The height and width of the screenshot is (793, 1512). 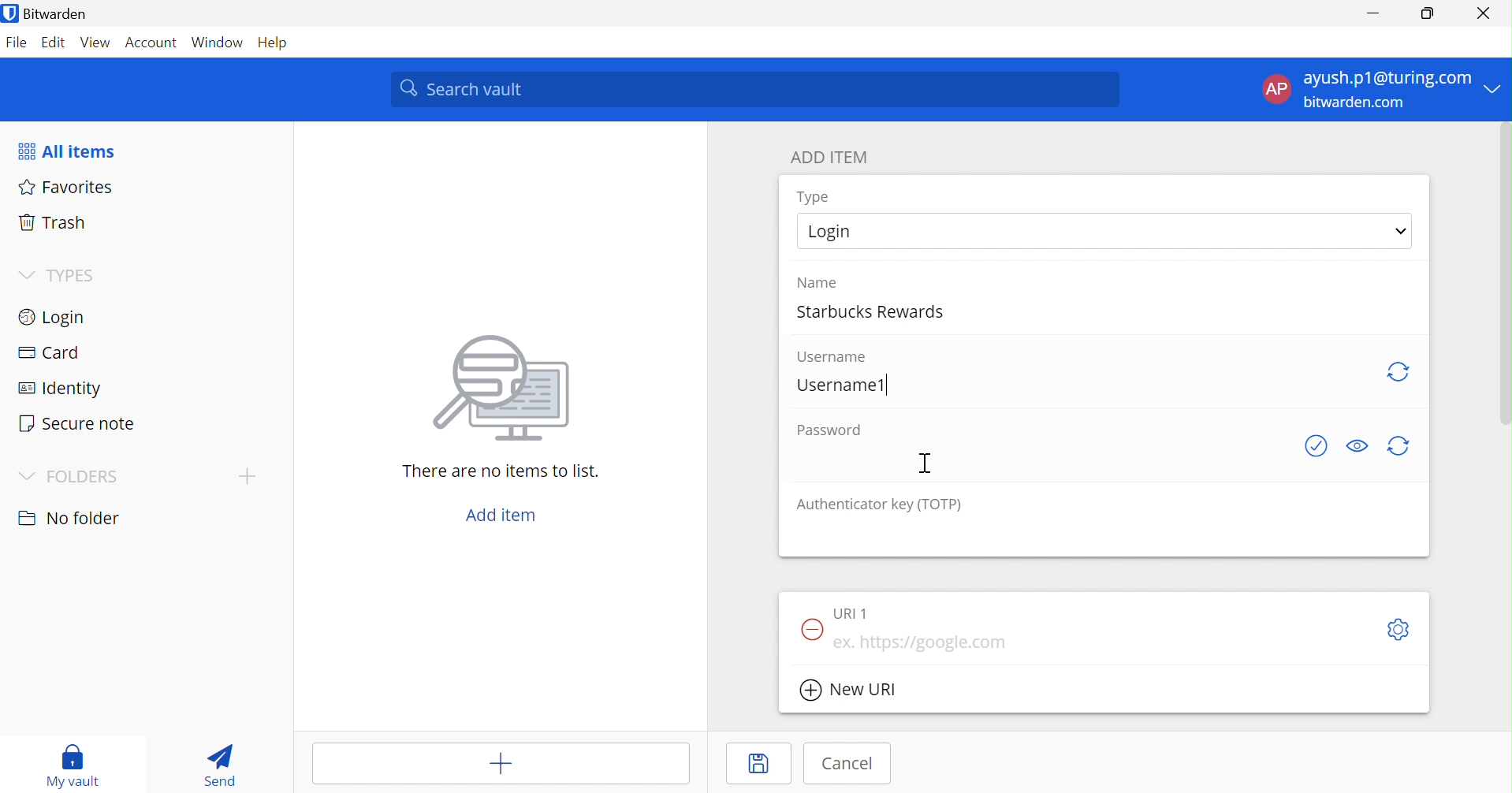 What do you see at coordinates (876, 309) in the screenshot?
I see `Starbucks Rewards` at bounding box center [876, 309].